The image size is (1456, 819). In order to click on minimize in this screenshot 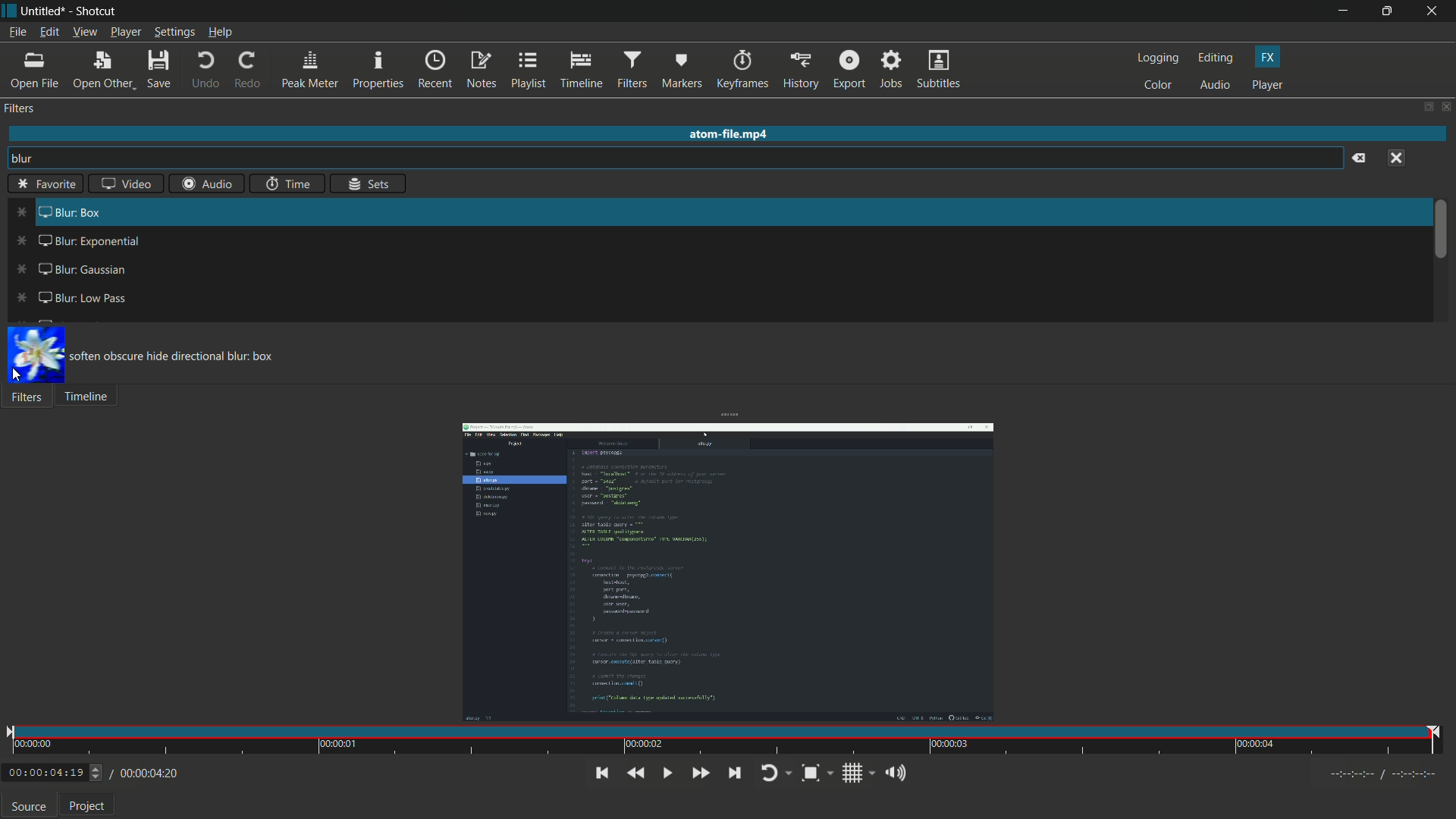, I will do `click(1348, 11)`.